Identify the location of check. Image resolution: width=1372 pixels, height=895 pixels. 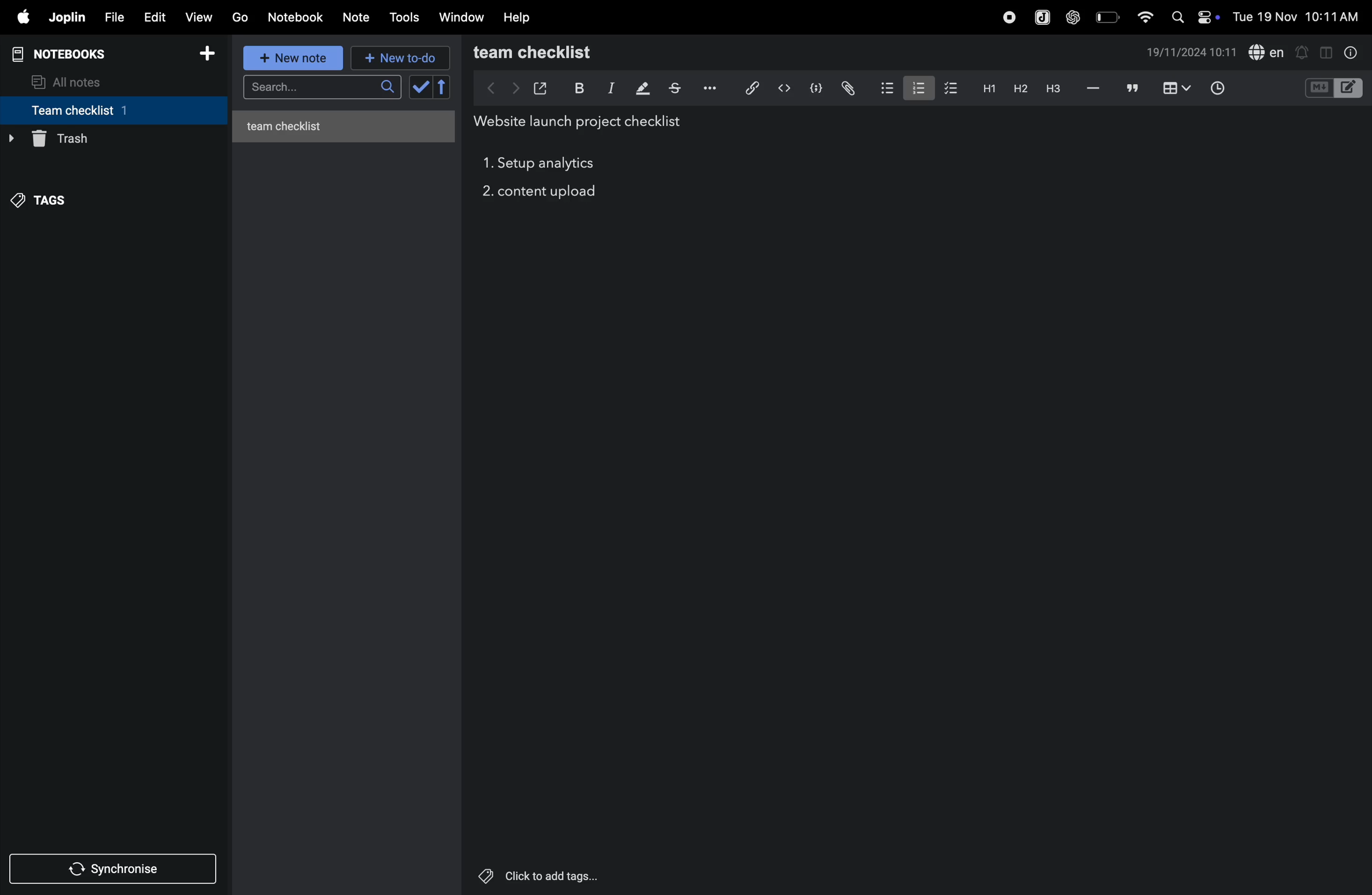
(431, 88).